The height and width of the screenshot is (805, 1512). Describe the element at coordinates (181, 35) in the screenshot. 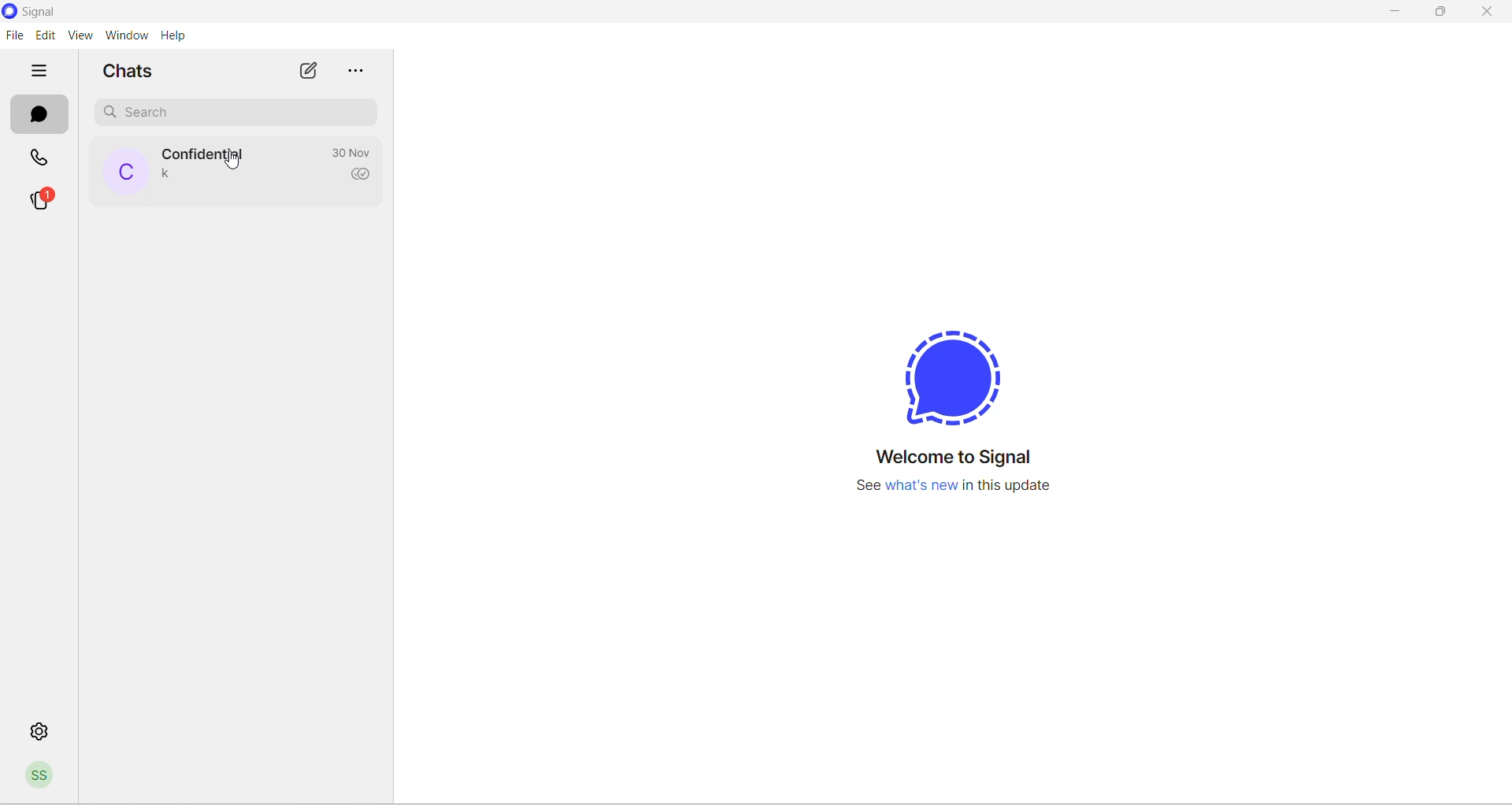

I see `help` at that location.